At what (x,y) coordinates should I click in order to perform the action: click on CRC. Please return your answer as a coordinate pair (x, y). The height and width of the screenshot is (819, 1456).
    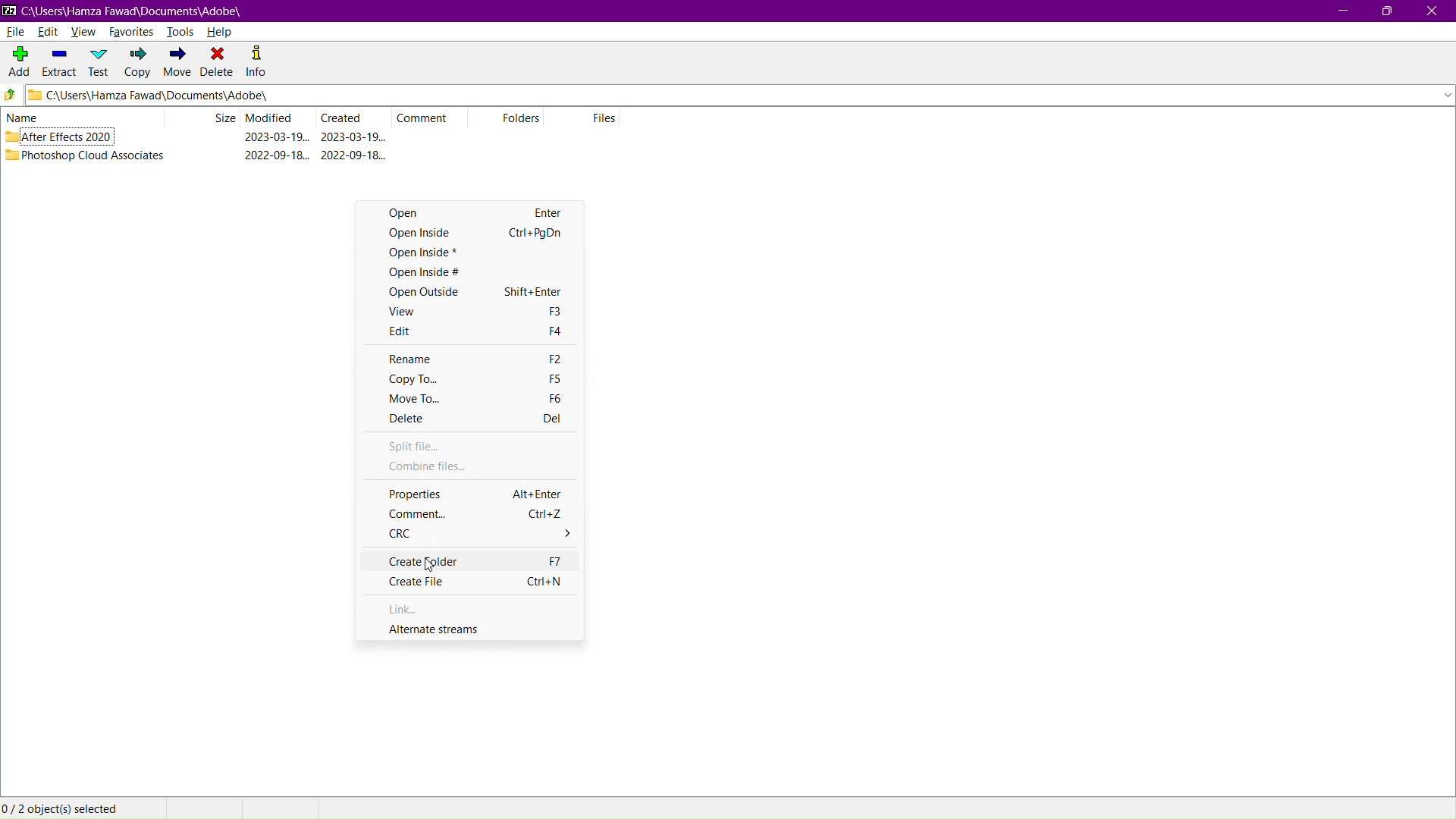
    Looking at the image, I should click on (468, 535).